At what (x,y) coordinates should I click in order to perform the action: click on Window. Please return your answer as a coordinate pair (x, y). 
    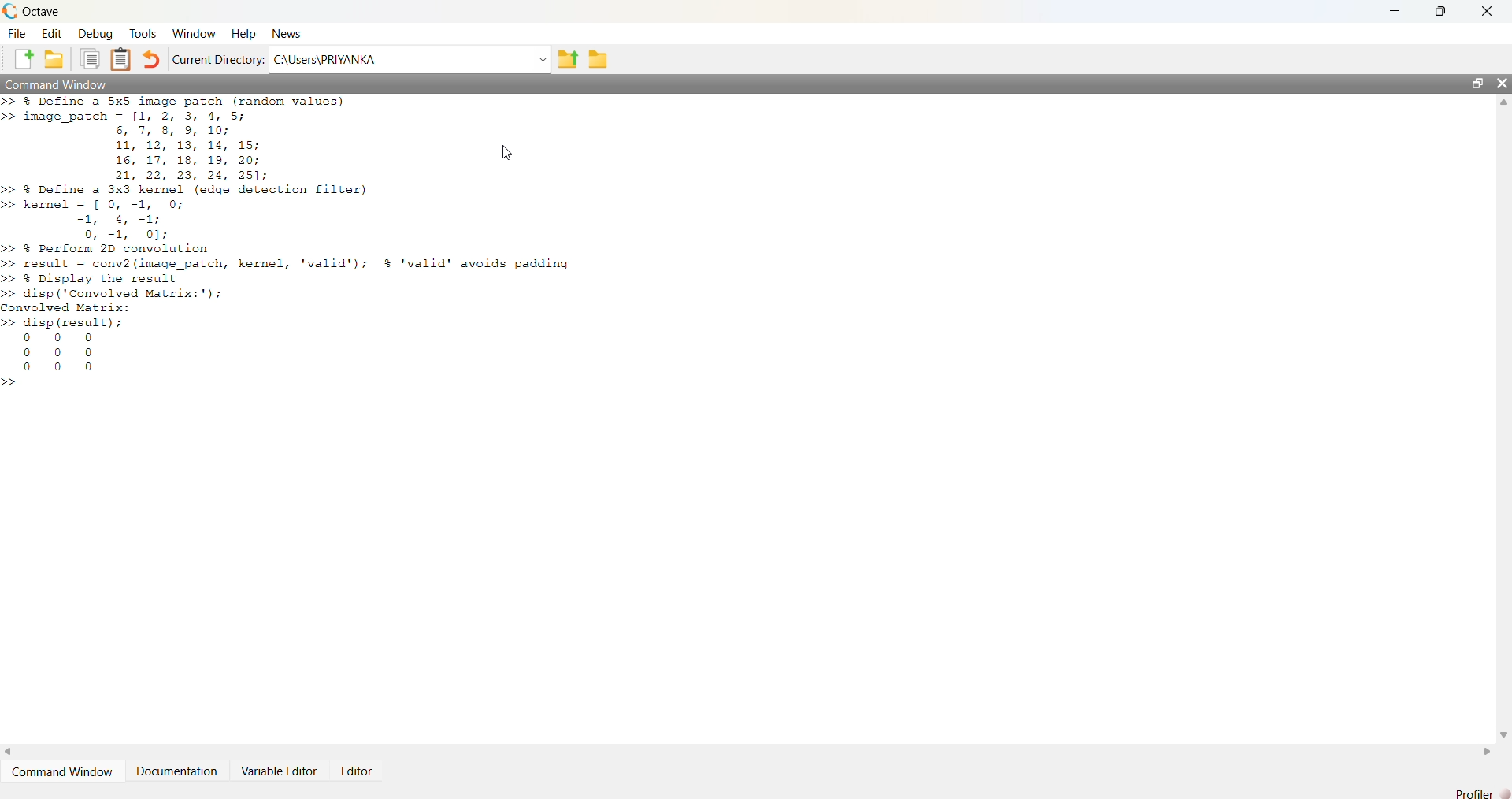
    Looking at the image, I should click on (195, 34).